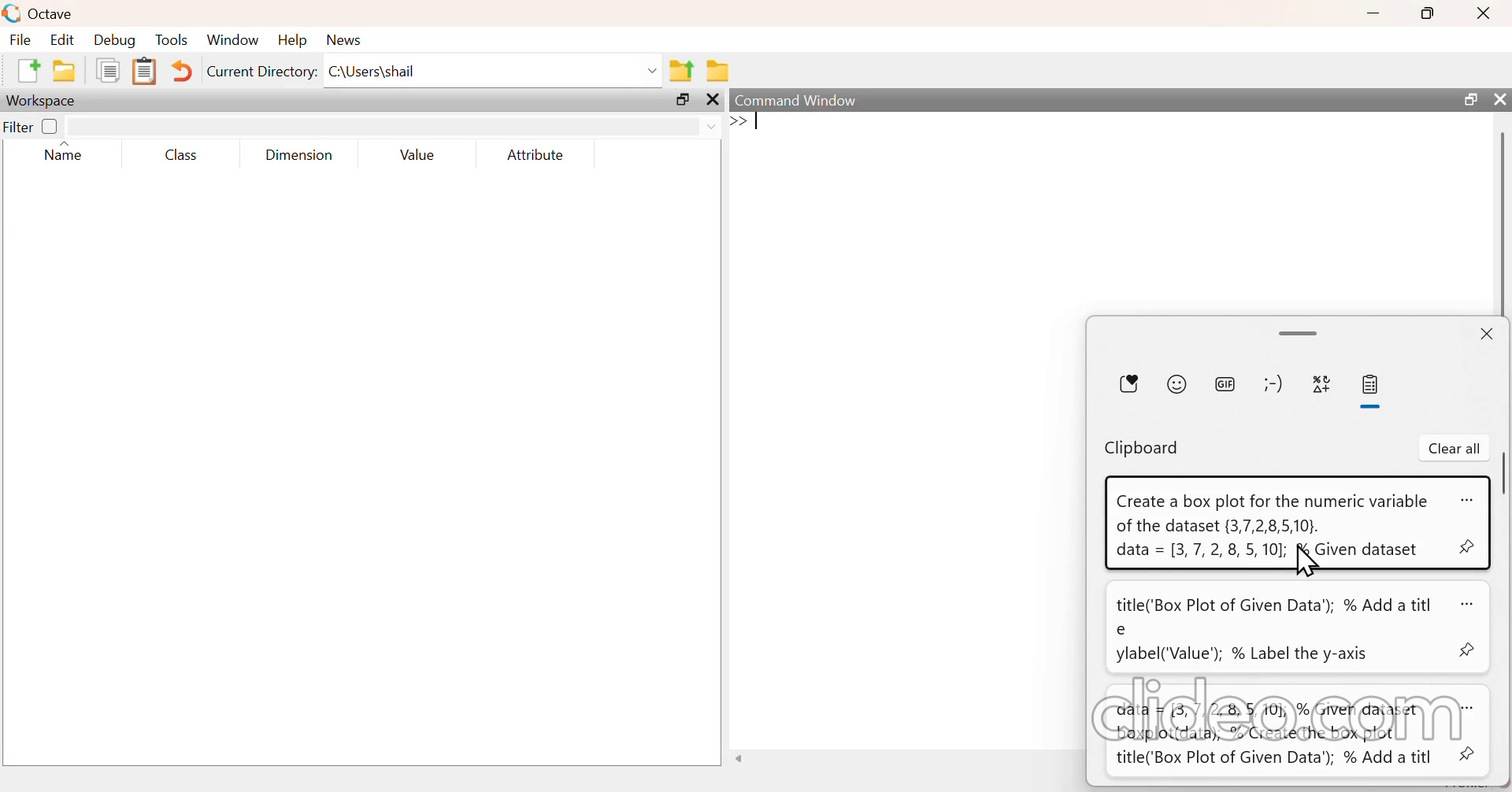 The image size is (1512, 792). What do you see at coordinates (1138, 446) in the screenshot?
I see `clipboard` at bounding box center [1138, 446].